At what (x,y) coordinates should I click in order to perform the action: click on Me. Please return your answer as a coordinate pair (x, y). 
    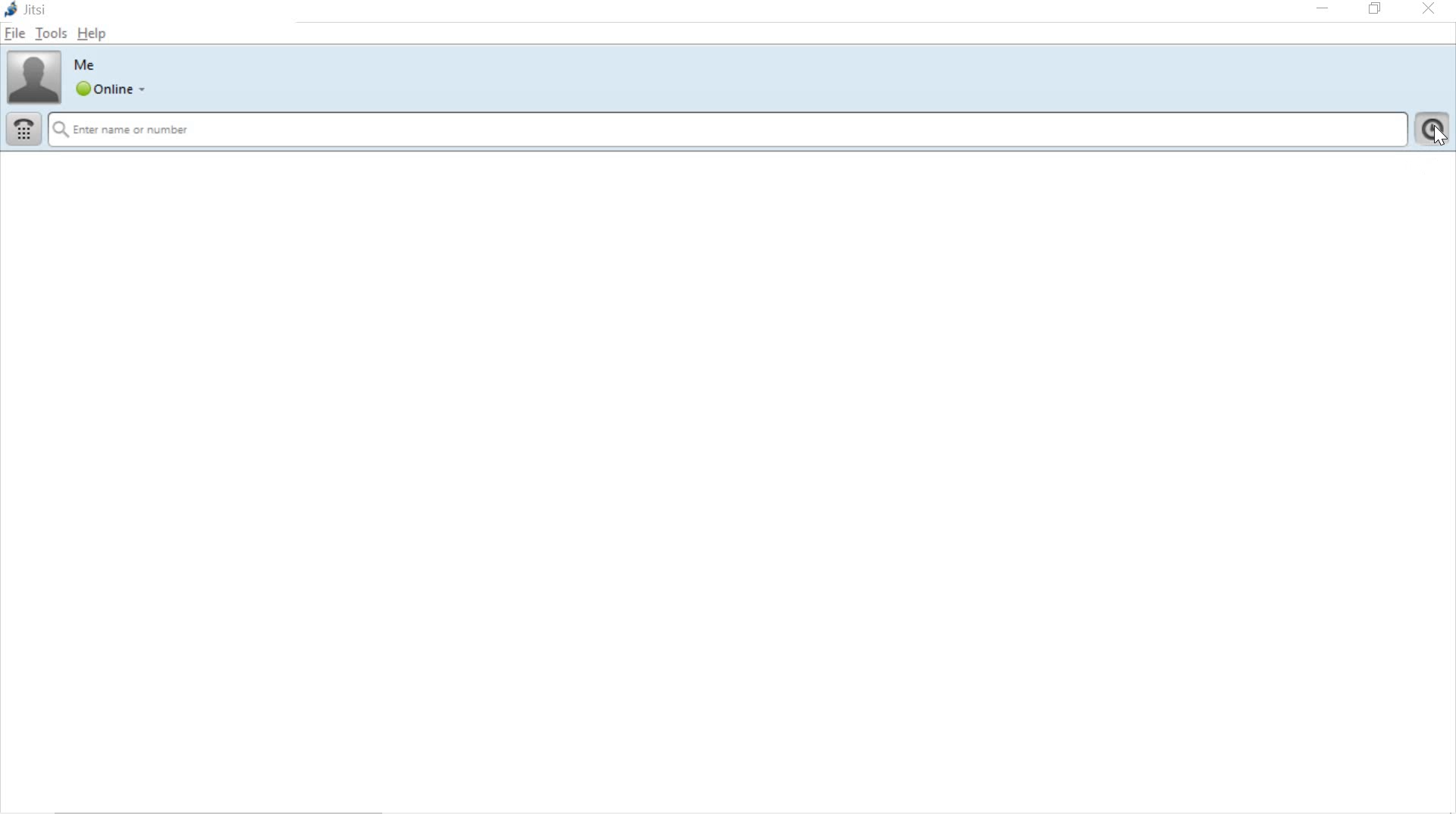
    Looking at the image, I should click on (87, 64).